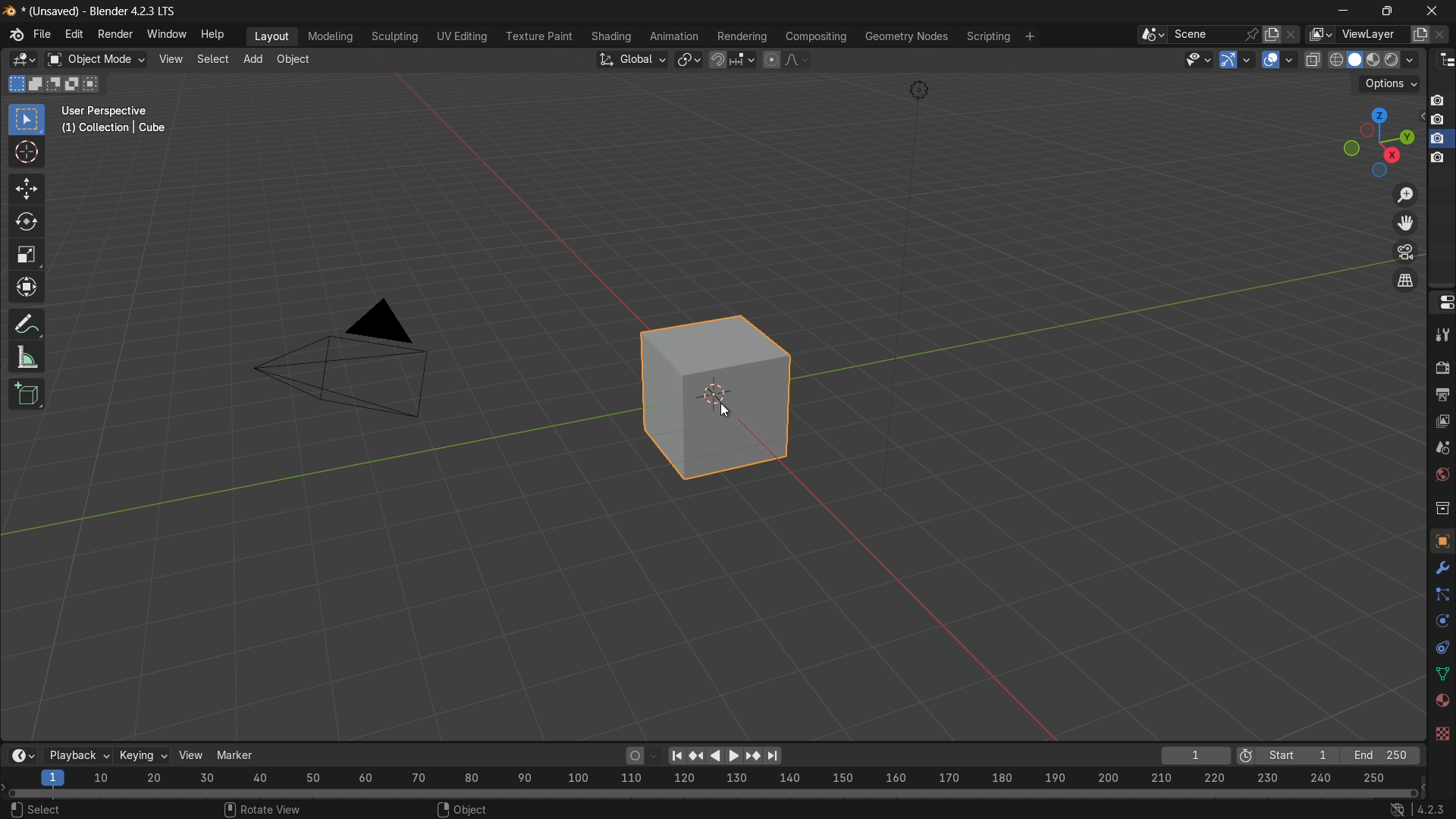  What do you see at coordinates (24, 61) in the screenshot?
I see `3D viewport` at bounding box center [24, 61].